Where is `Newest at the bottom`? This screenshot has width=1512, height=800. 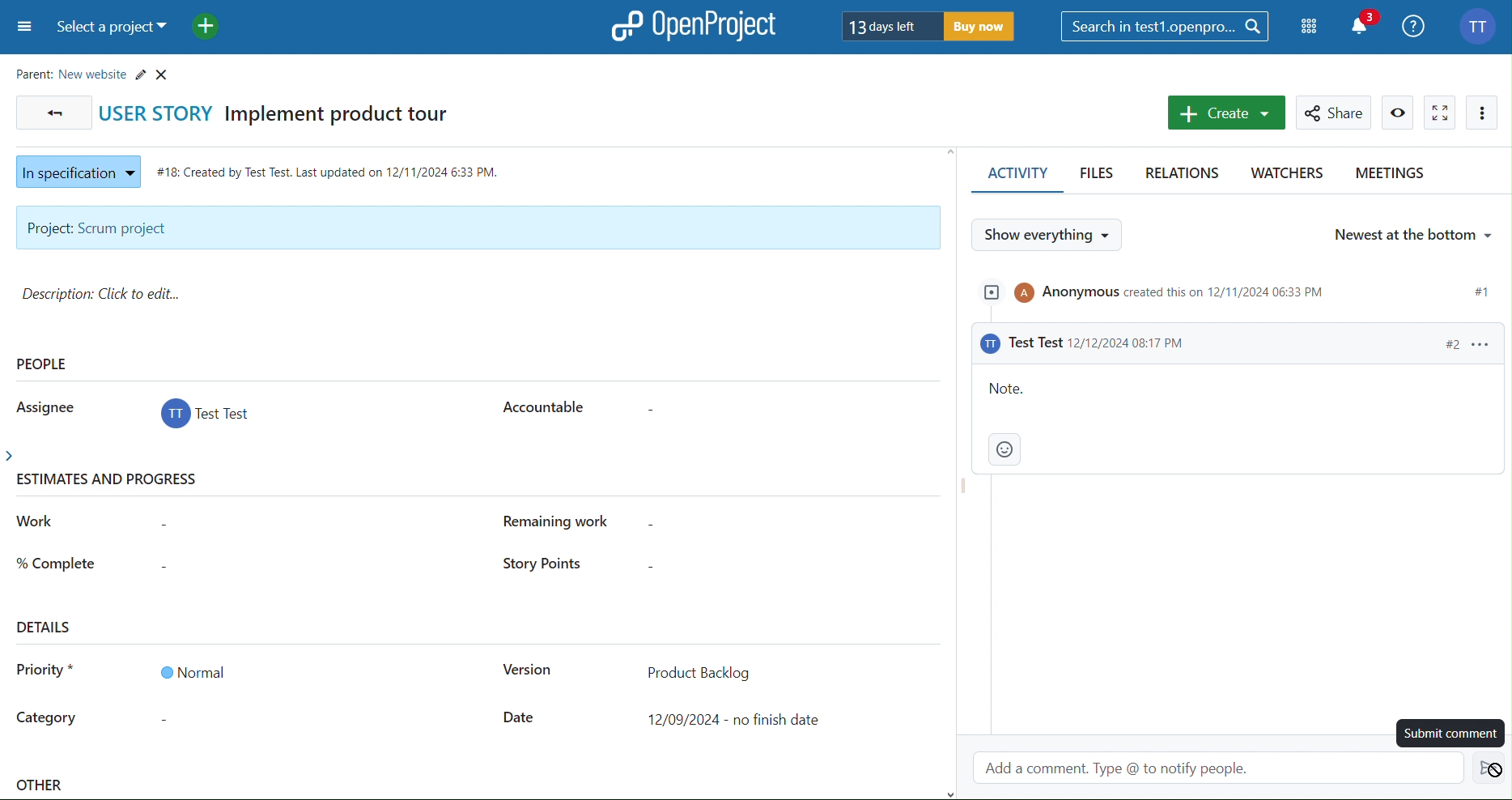 Newest at the bottom is located at coordinates (1412, 232).